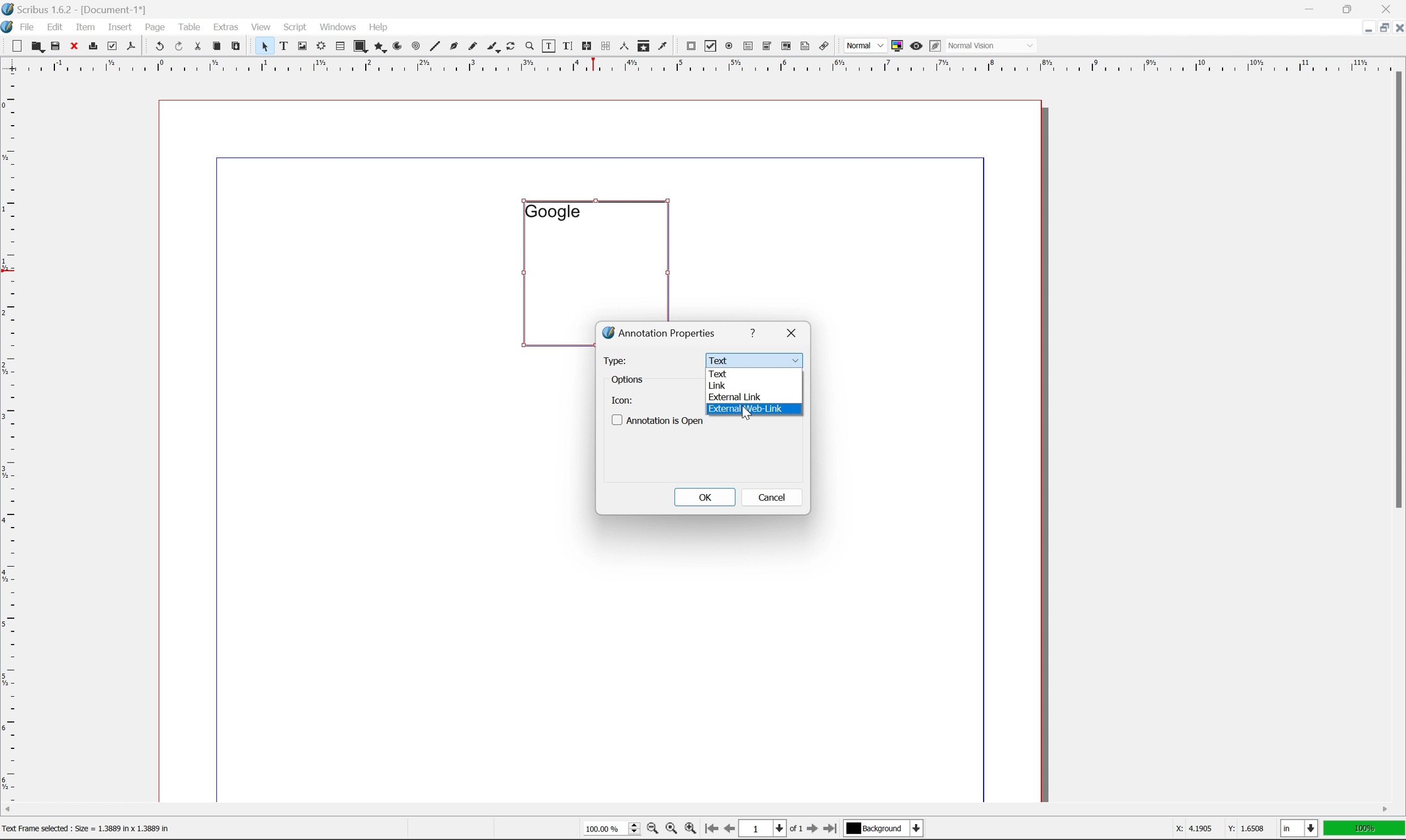 The height and width of the screenshot is (840, 1406). What do you see at coordinates (132, 46) in the screenshot?
I see `save as pdf` at bounding box center [132, 46].